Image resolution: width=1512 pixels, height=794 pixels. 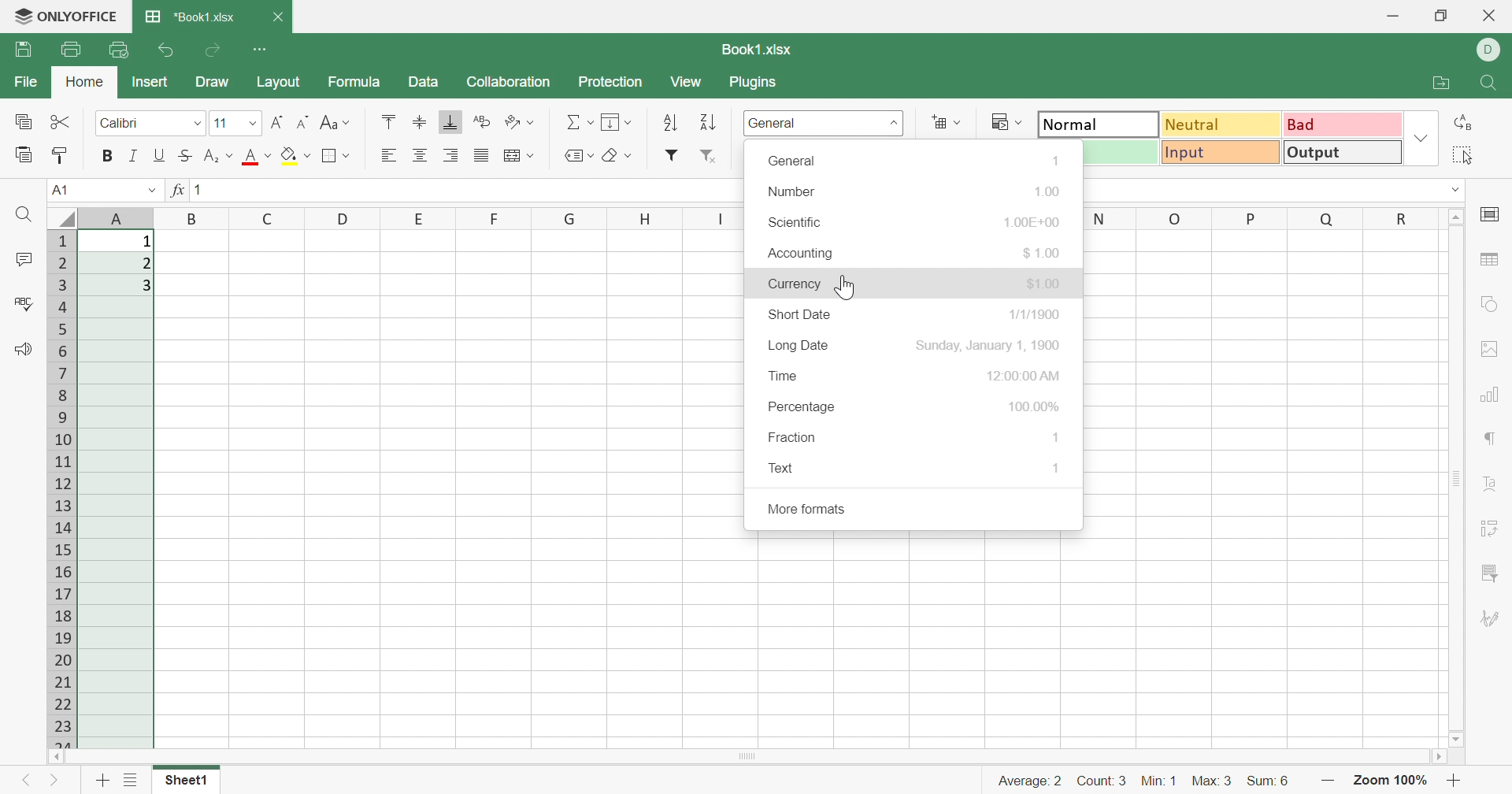 I want to click on Align left, so click(x=388, y=155).